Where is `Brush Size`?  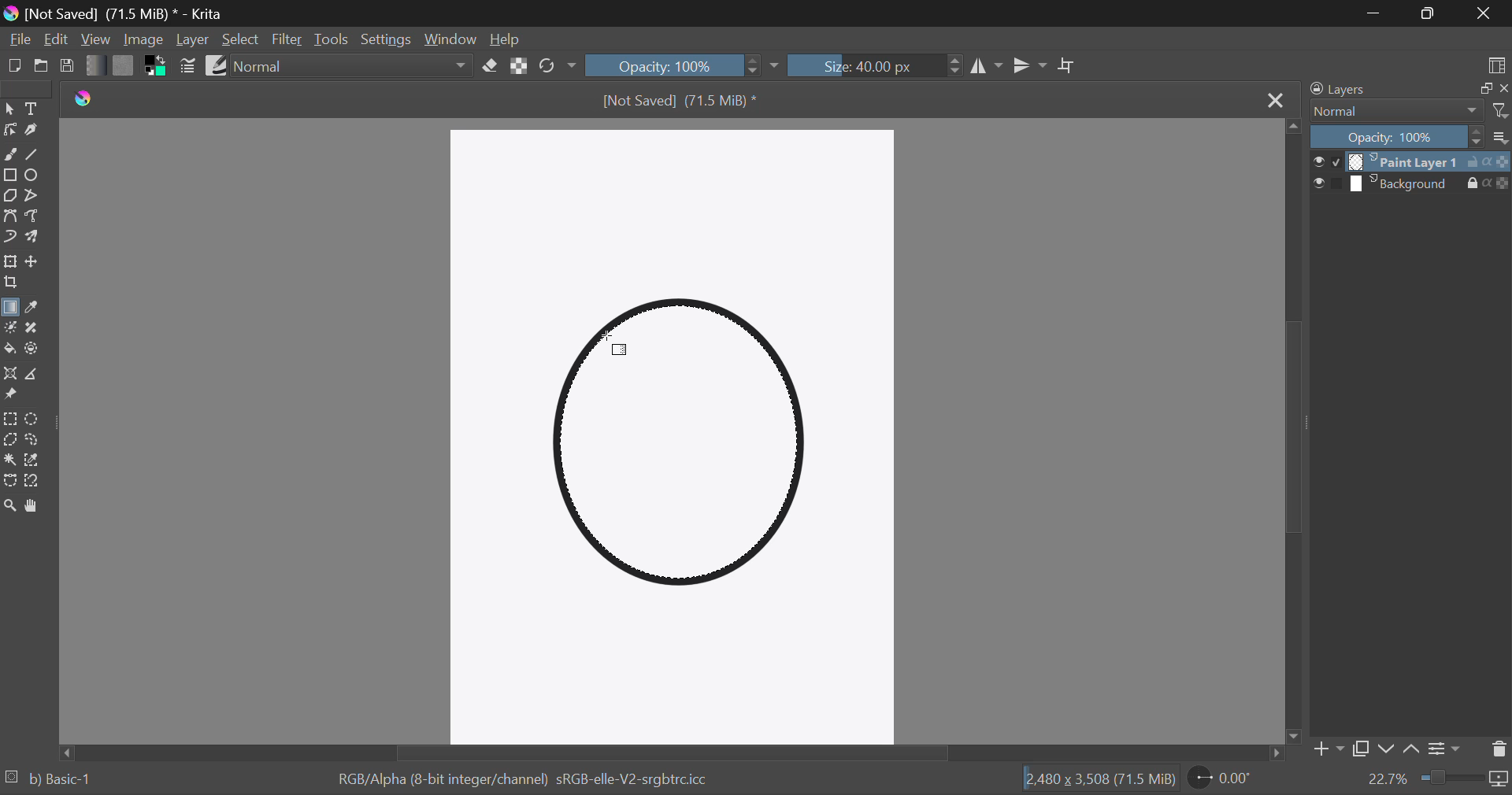
Brush Size is located at coordinates (878, 65).